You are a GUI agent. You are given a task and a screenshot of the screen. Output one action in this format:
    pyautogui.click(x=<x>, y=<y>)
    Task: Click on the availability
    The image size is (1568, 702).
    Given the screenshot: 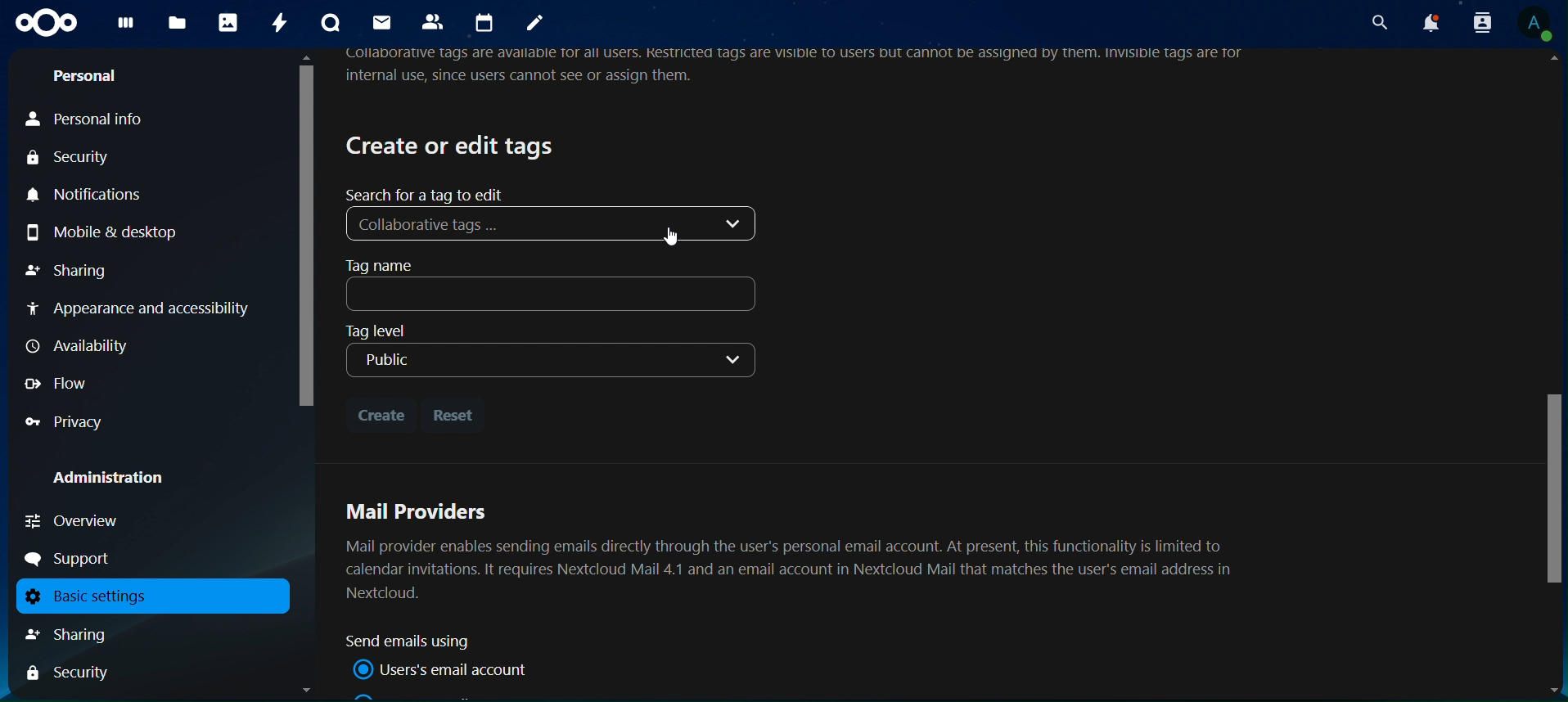 What is the action you would take?
    pyautogui.click(x=83, y=346)
    